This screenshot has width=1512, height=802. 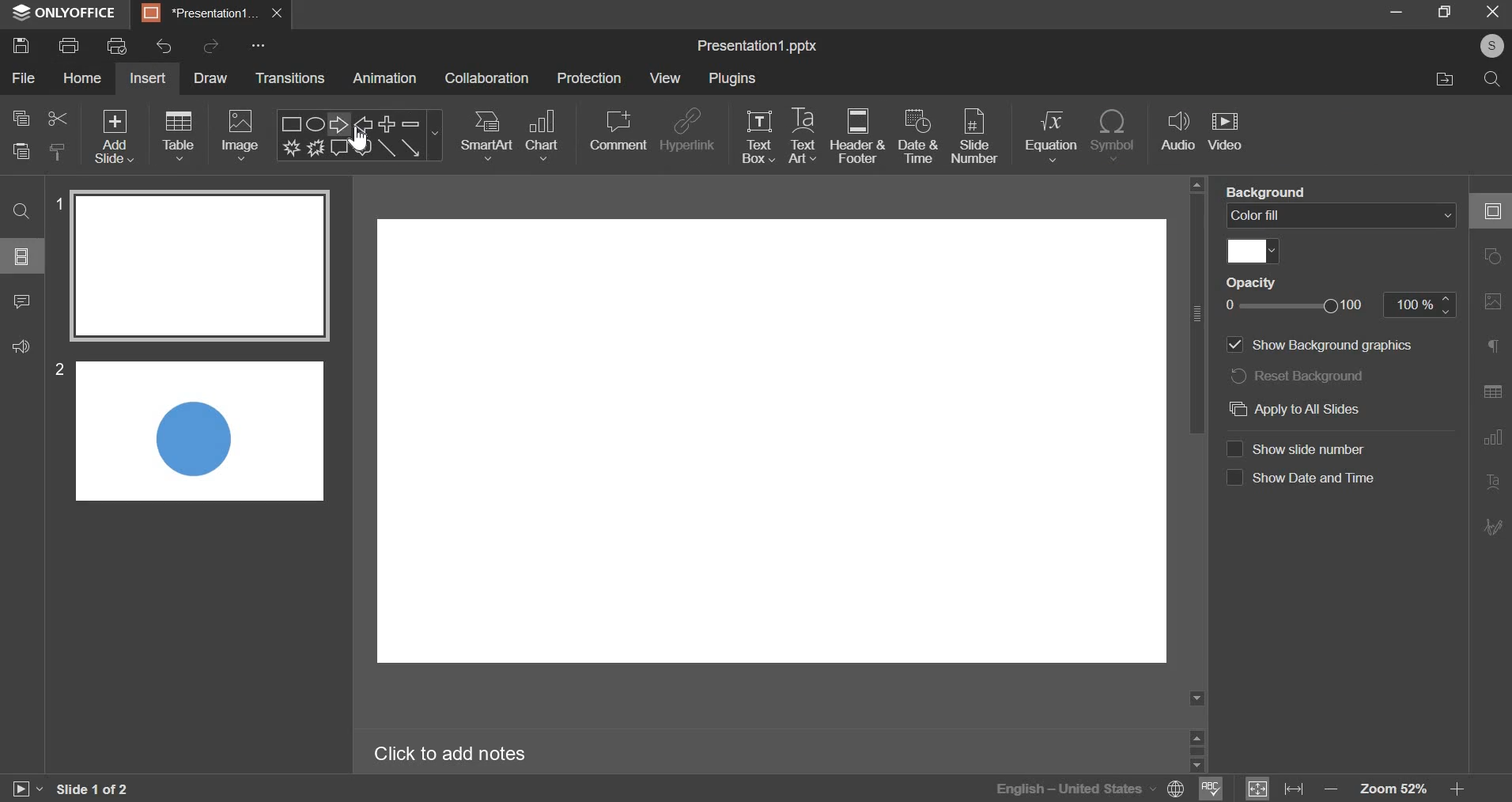 I want to click on insert video, so click(x=1227, y=136).